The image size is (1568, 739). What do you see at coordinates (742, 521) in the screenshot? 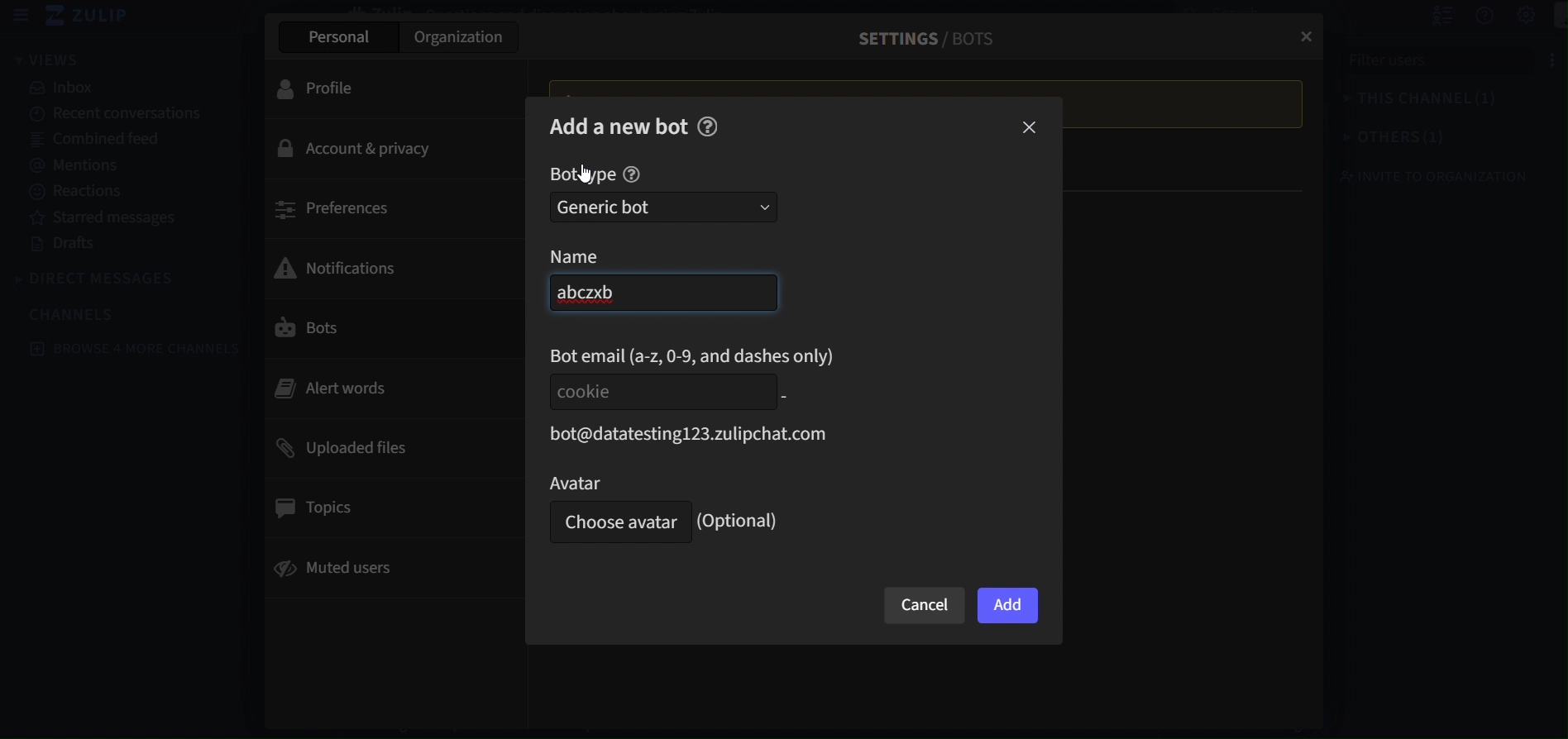
I see `(Optional)` at bounding box center [742, 521].